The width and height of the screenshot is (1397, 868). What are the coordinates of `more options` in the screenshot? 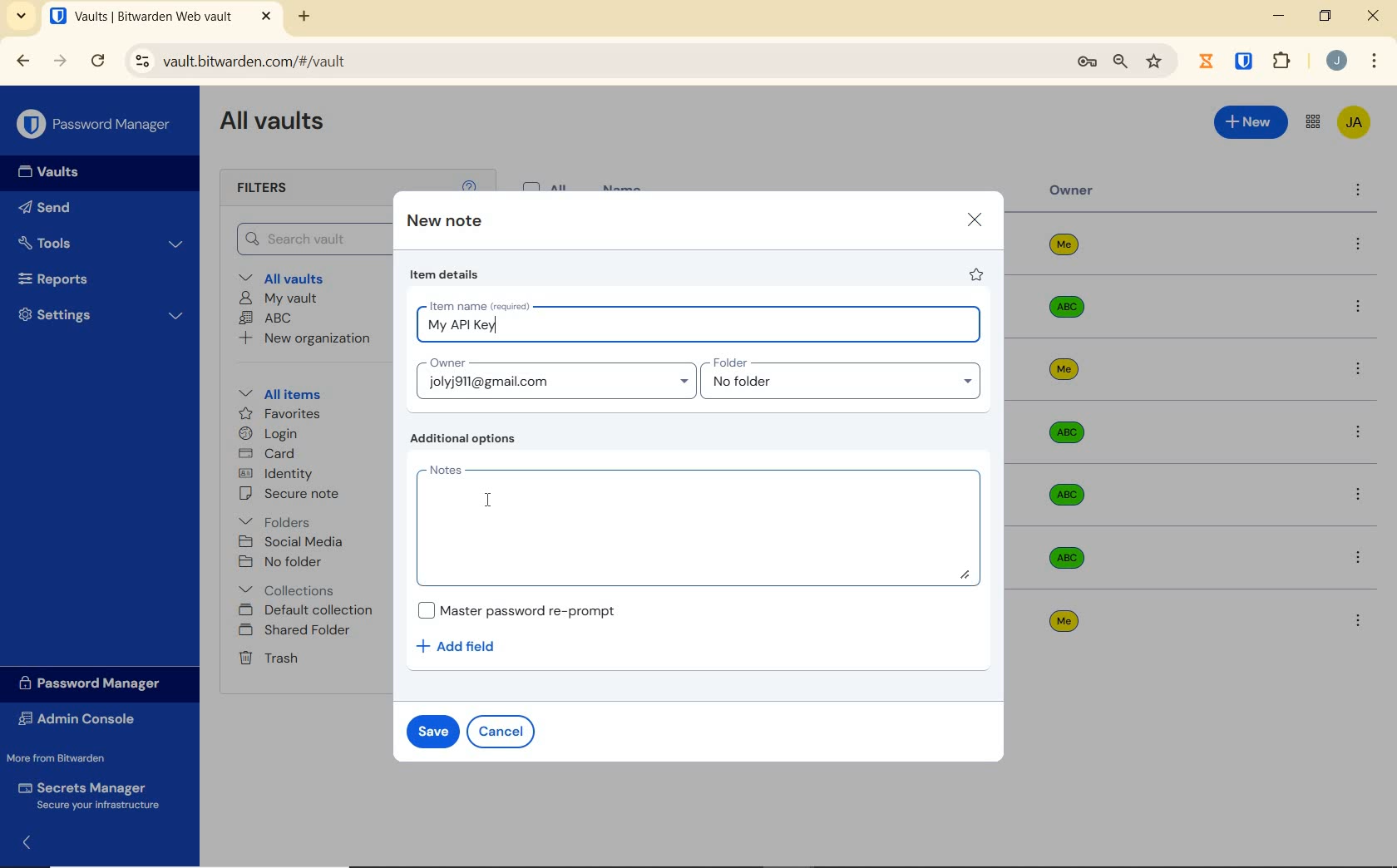 It's located at (1360, 495).